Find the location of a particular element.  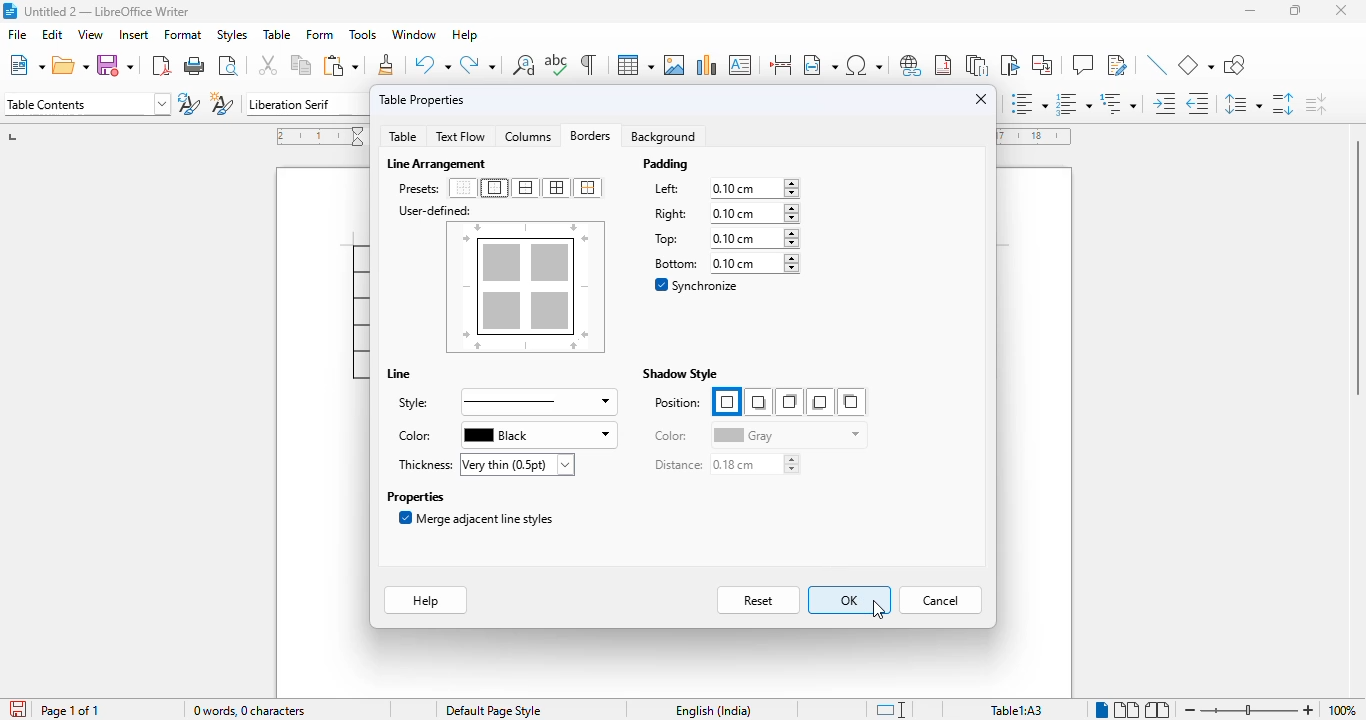

open is located at coordinates (71, 65).